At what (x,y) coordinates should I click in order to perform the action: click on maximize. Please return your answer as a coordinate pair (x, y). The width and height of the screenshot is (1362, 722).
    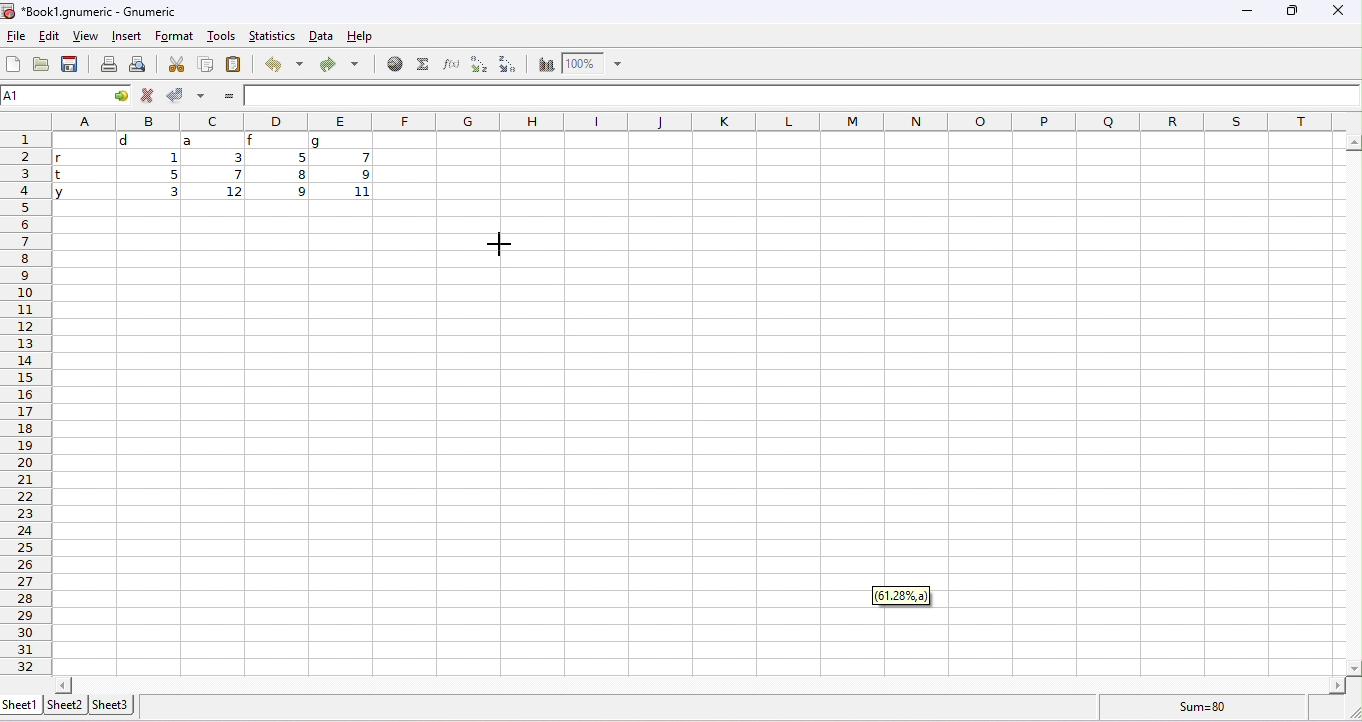
    Looking at the image, I should click on (1293, 13).